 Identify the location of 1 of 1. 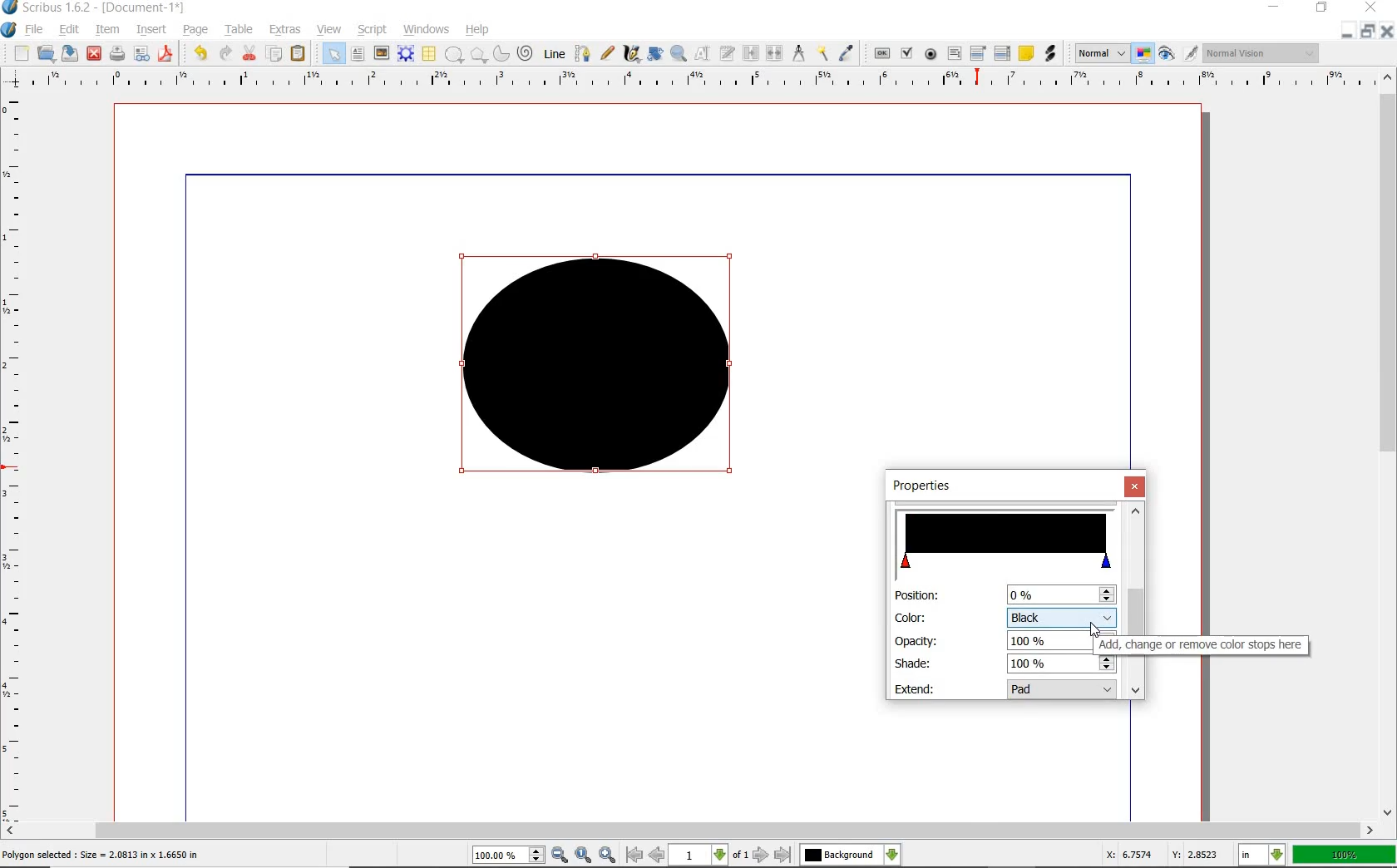
(710, 855).